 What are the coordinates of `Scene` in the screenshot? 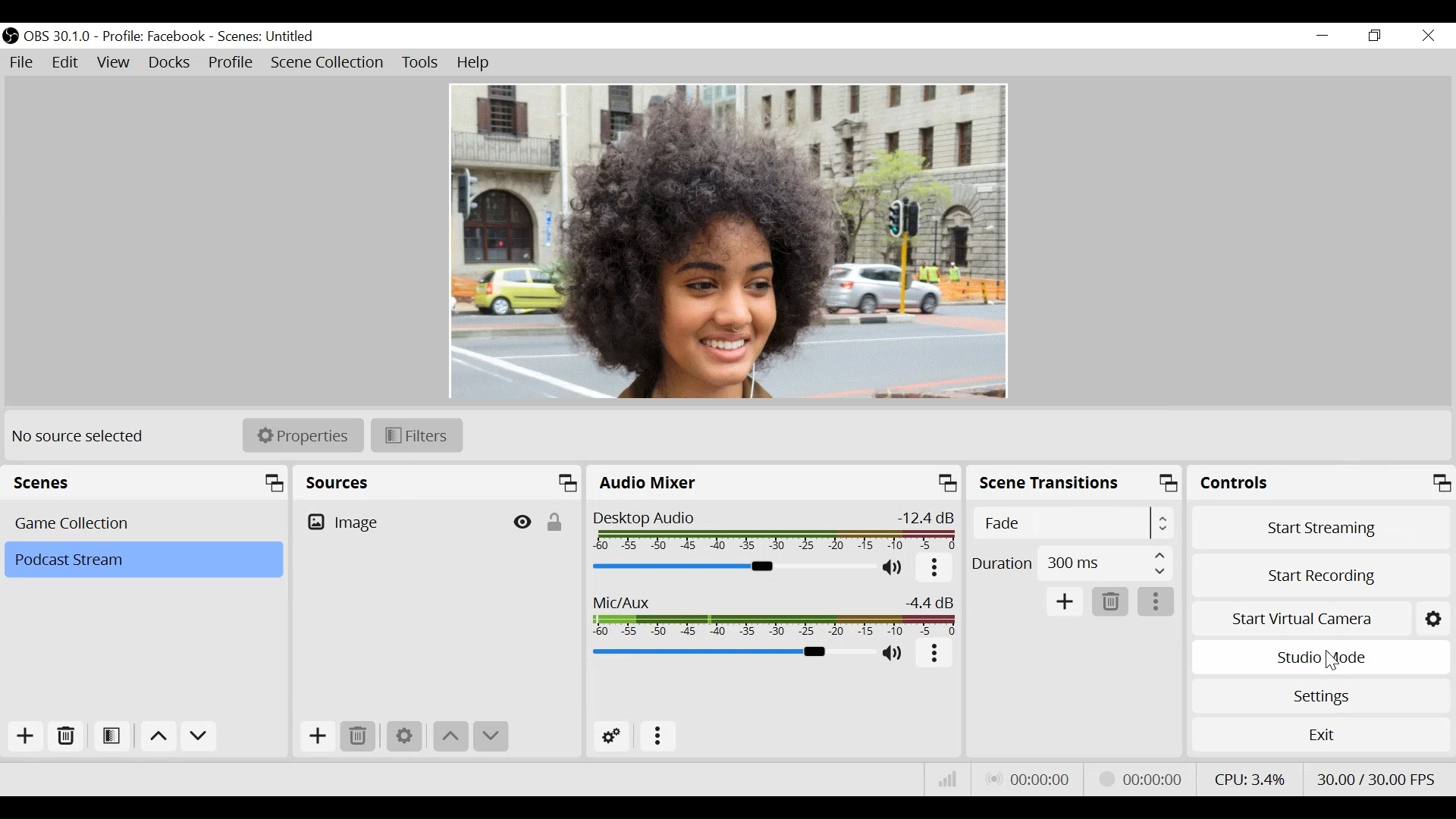 It's located at (143, 560).